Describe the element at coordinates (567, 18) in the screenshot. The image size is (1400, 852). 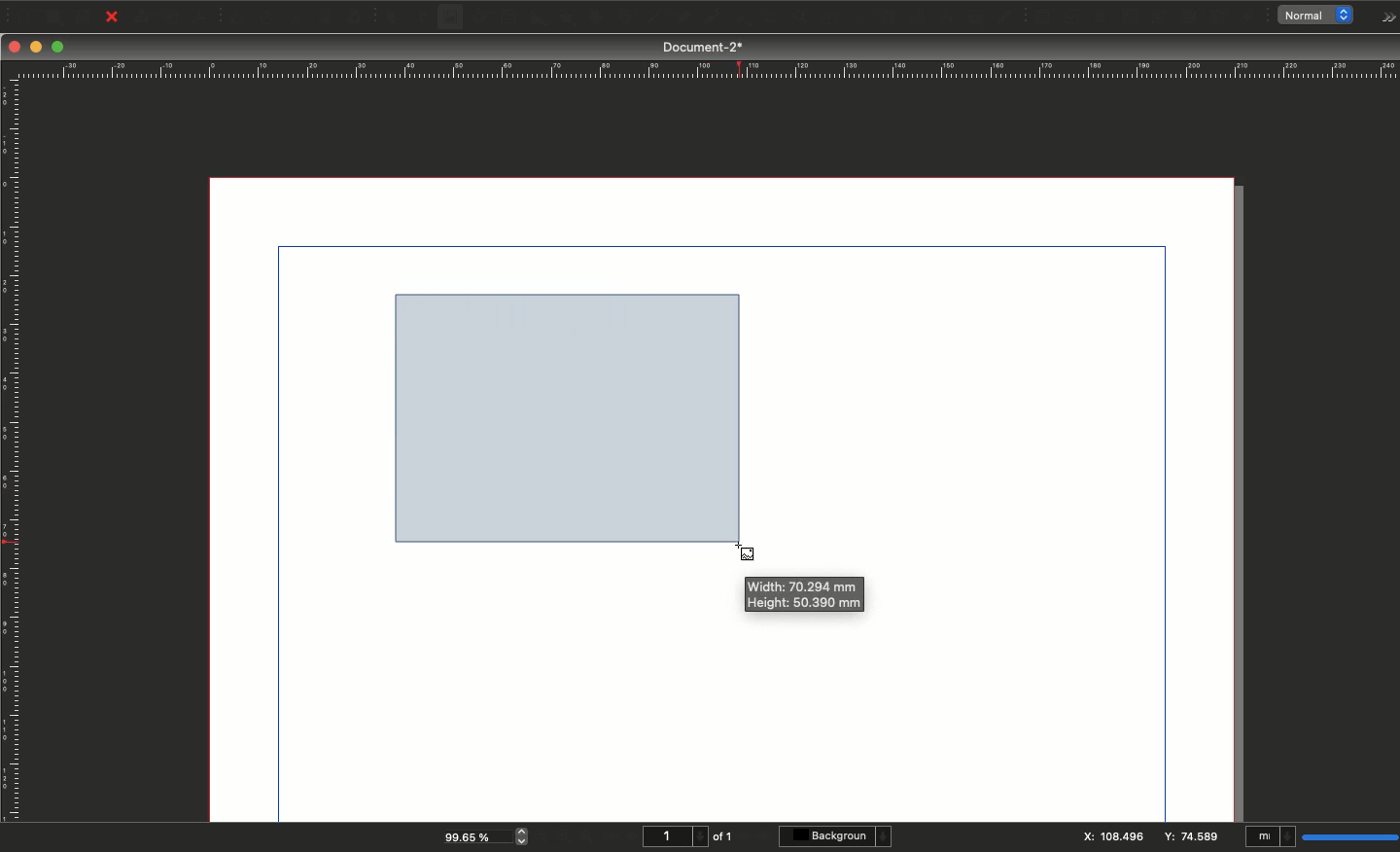
I see `Polygon` at that location.